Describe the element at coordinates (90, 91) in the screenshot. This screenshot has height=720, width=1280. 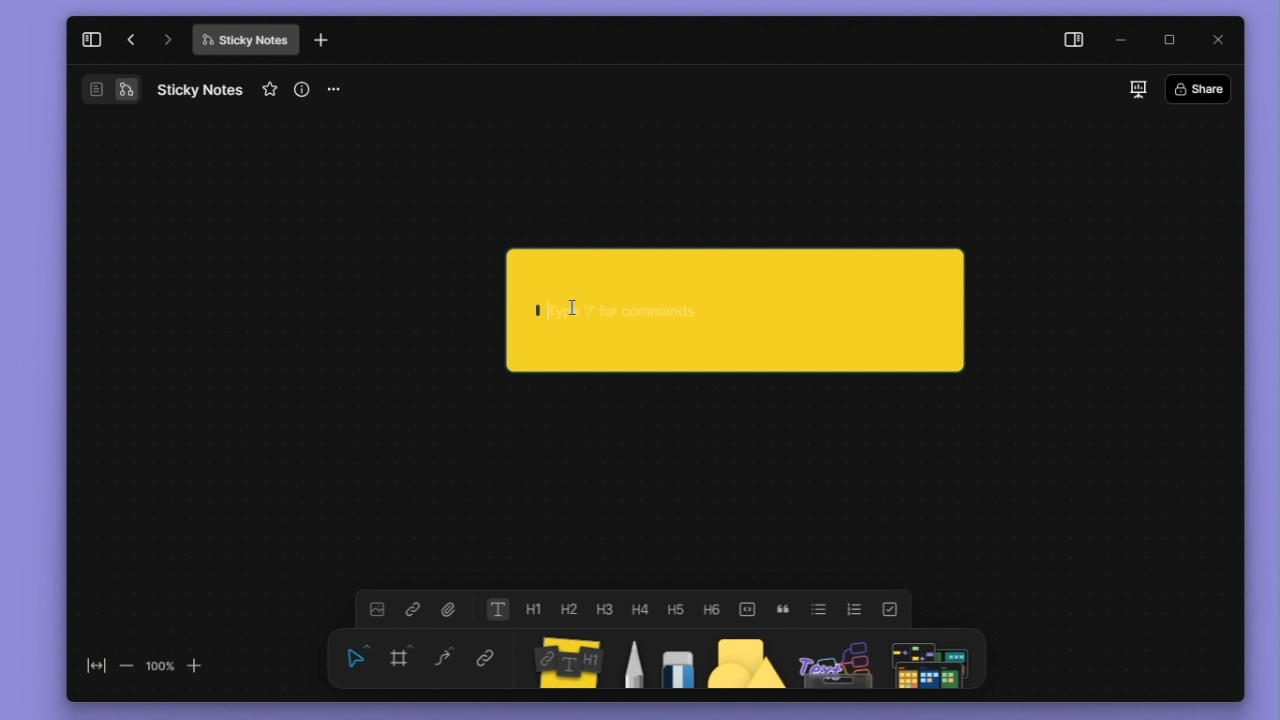
I see `Document/Page Overview` at that location.